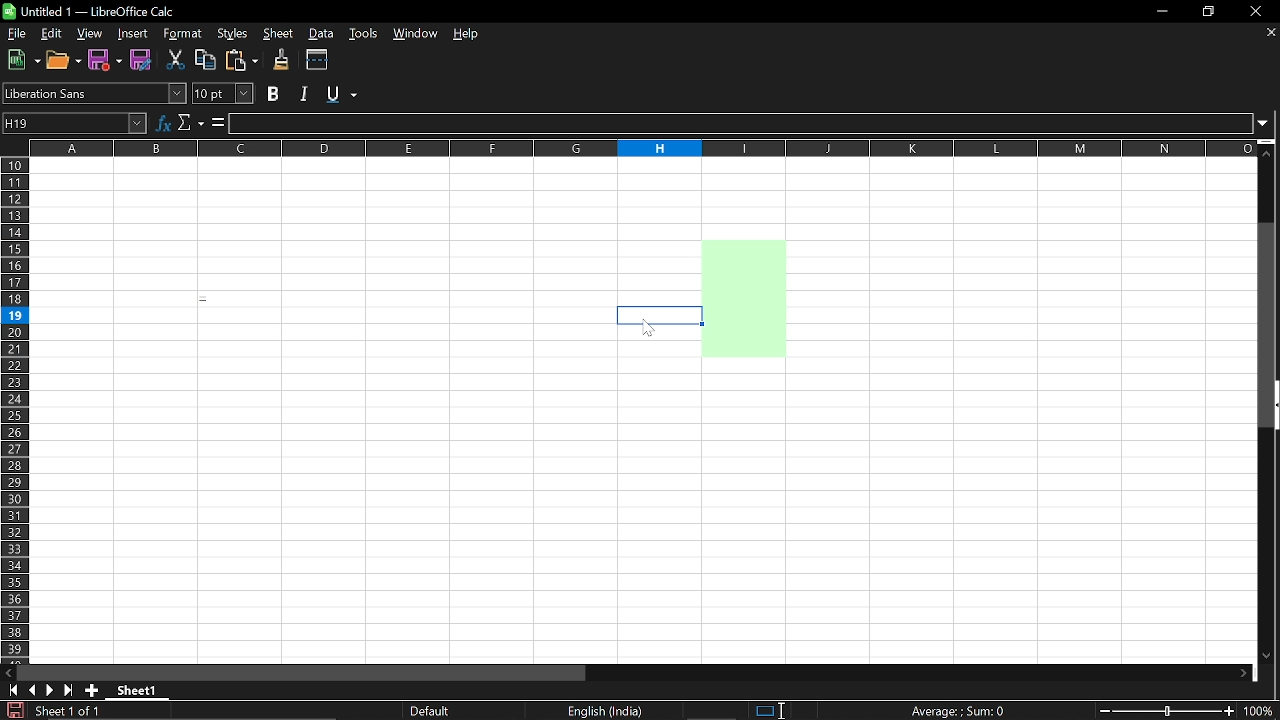  I want to click on View, so click(90, 34).